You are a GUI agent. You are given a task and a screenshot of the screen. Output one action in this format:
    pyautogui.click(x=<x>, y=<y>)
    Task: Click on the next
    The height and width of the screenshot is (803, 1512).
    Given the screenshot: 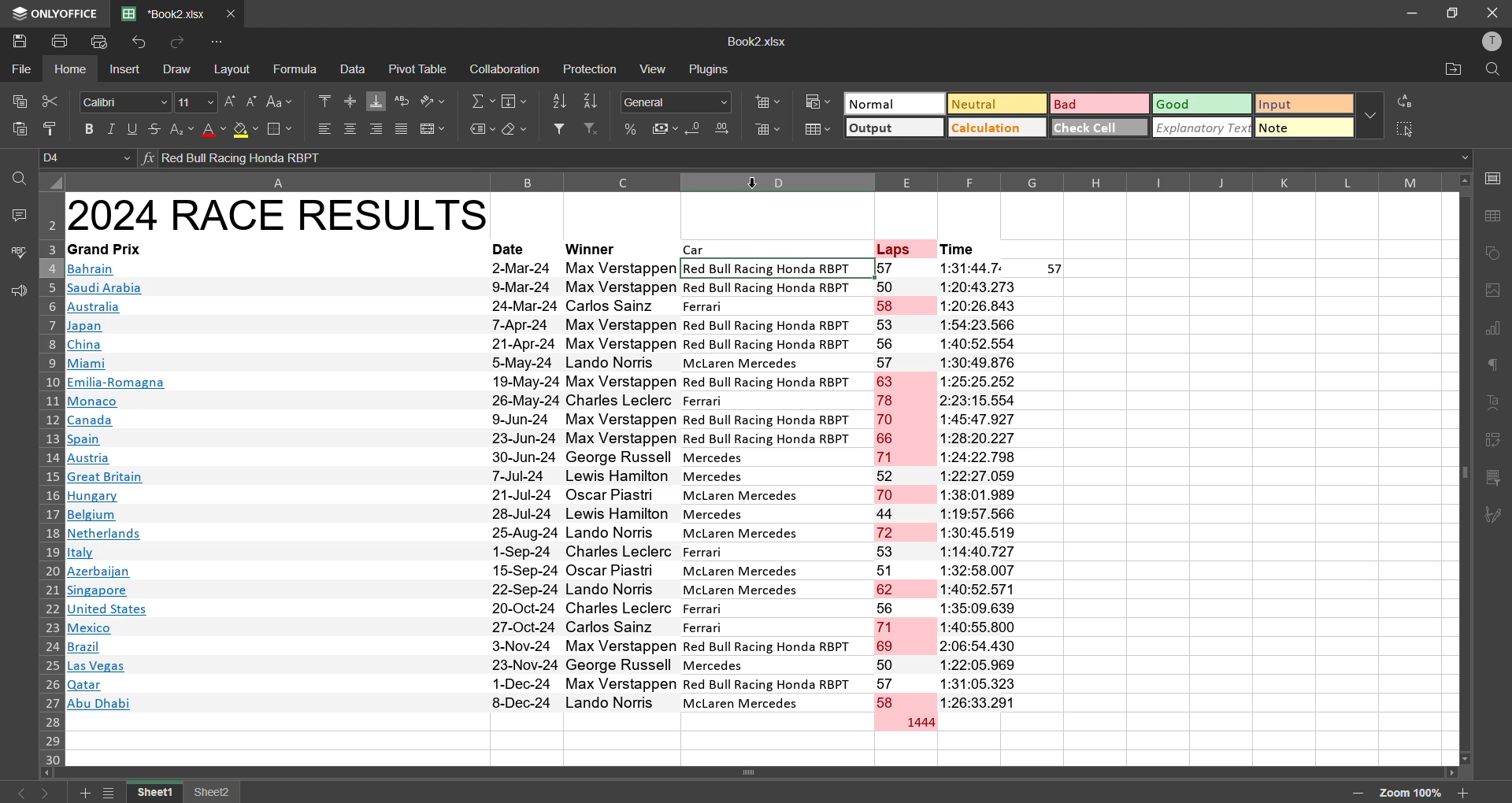 What is the action you would take?
    pyautogui.click(x=50, y=793)
    